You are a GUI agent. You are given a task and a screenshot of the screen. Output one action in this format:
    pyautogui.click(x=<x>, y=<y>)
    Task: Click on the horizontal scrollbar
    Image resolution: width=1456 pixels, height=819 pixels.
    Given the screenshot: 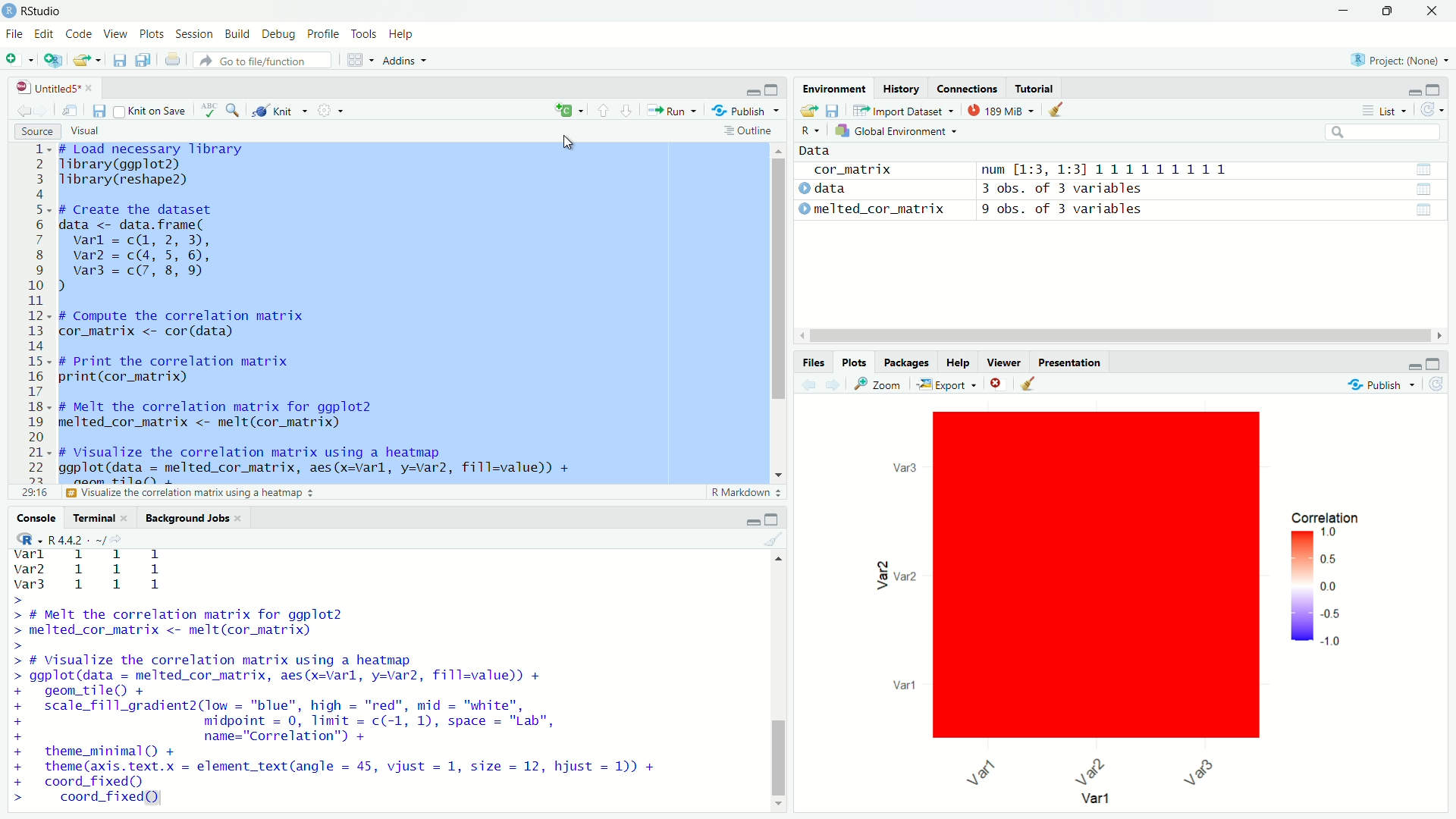 What is the action you would take?
    pyautogui.click(x=1117, y=337)
    